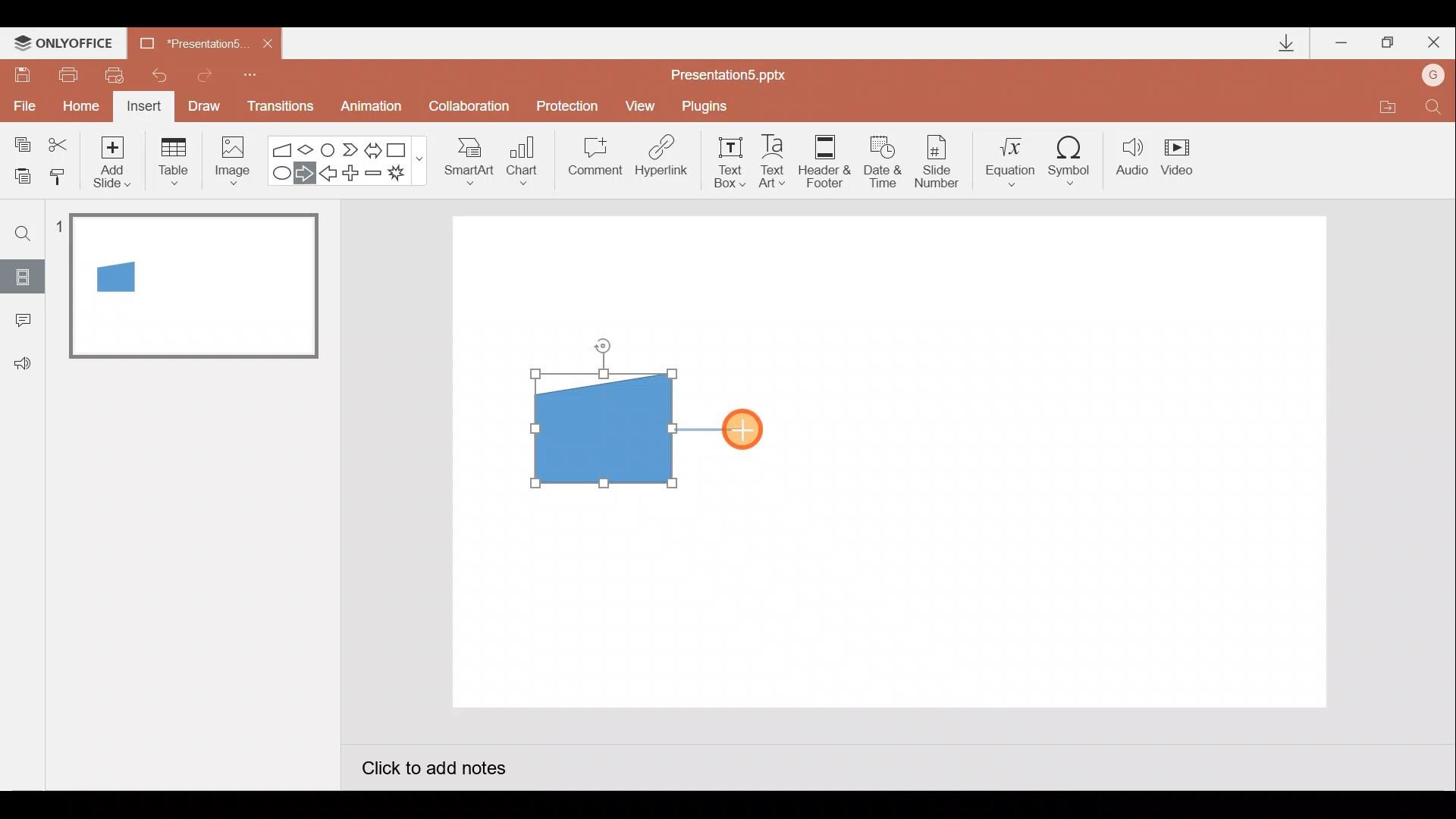 This screenshot has height=819, width=1456. What do you see at coordinates (329, 175) in the screenshot?
I see `Left arrow` at bounding box center [329, 175].